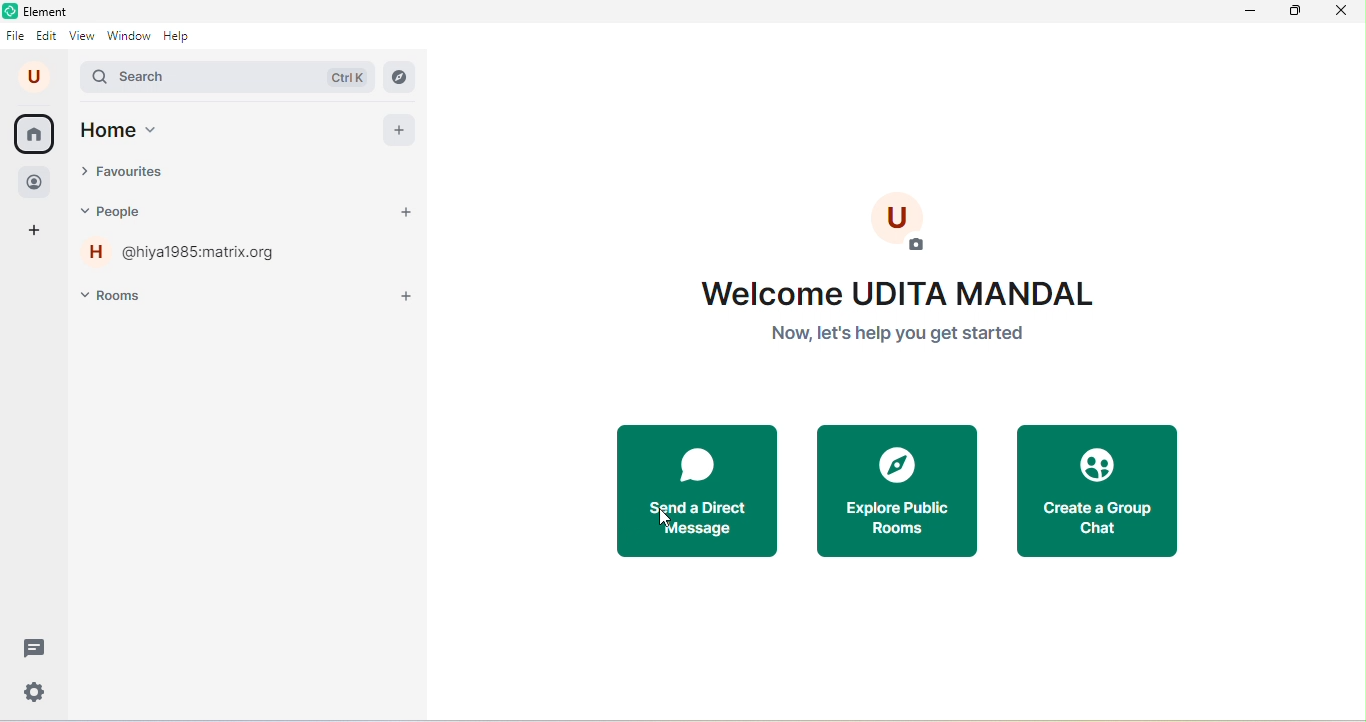 The width and height of the screenshot is (1366, 722). What do you see at coordinates (400, 131) in the screenshot?
I see `add` at bounding box center [400, 131].